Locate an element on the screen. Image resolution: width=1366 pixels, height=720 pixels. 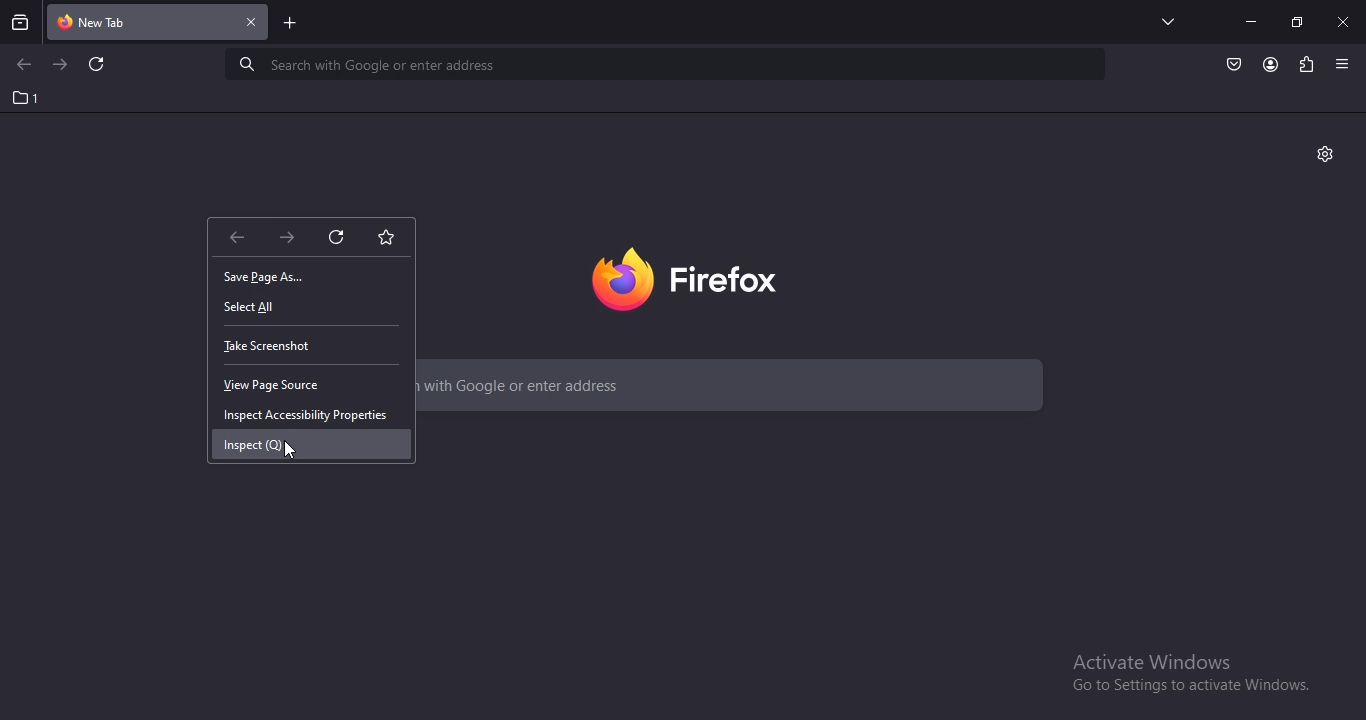
view page source is located at coordinates (280, 385).